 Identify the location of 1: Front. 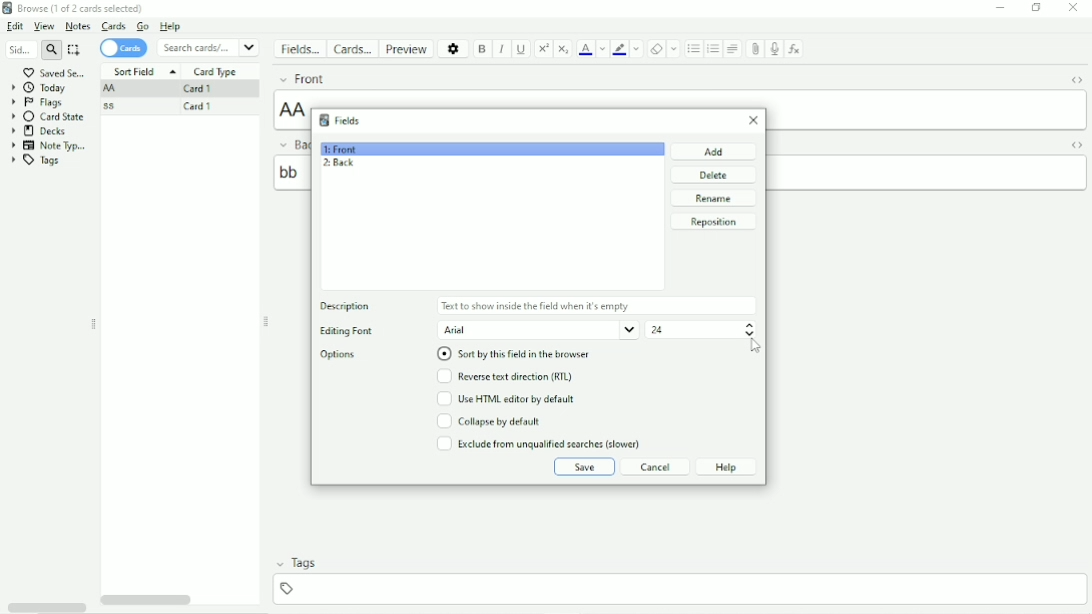
(341, 149).